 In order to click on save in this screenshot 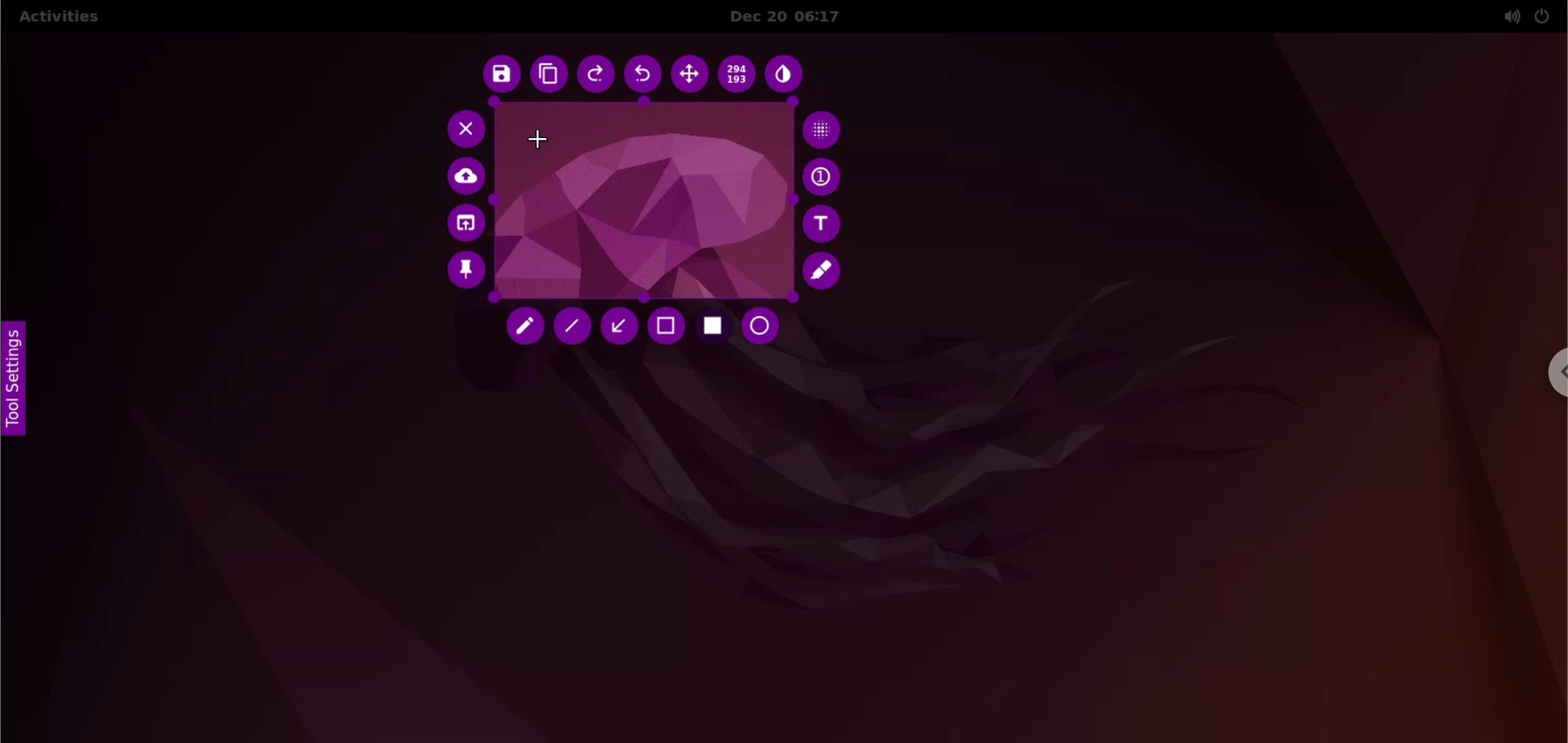, I will do `click(498, 75)`.